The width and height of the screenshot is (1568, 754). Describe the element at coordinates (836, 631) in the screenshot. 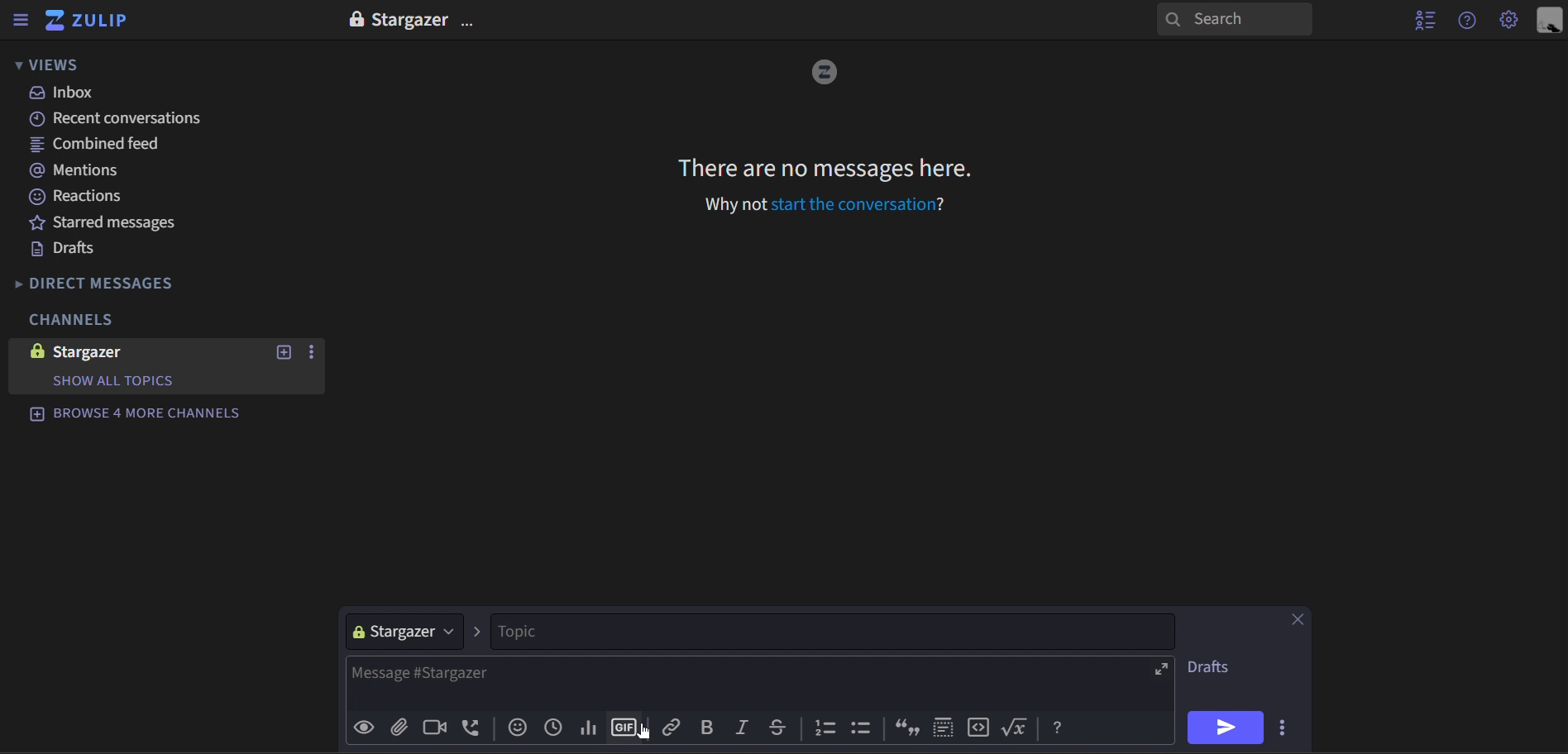

I see `topic` at that location.